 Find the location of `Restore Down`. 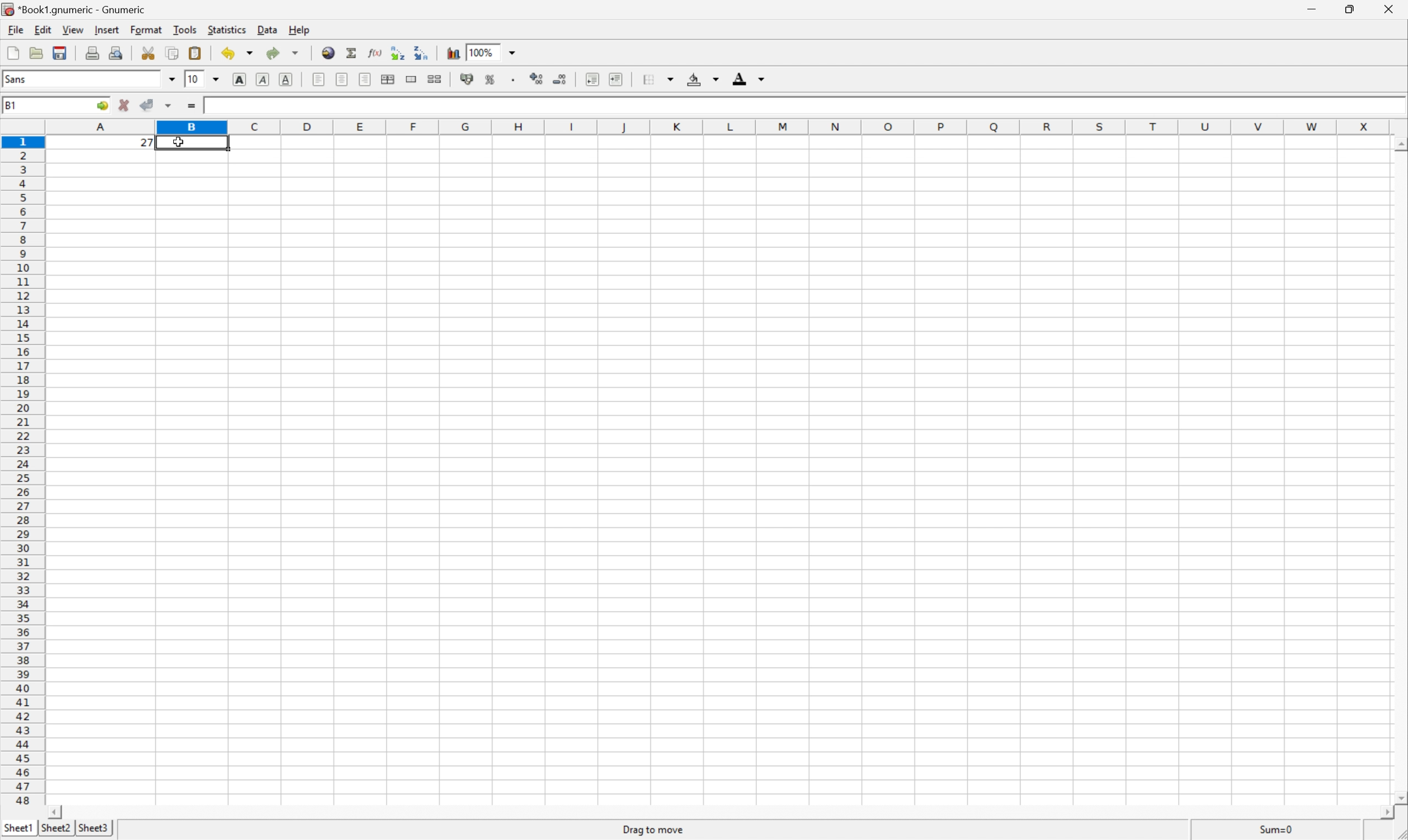

Restore Down is located at coordinates (1348, 10).